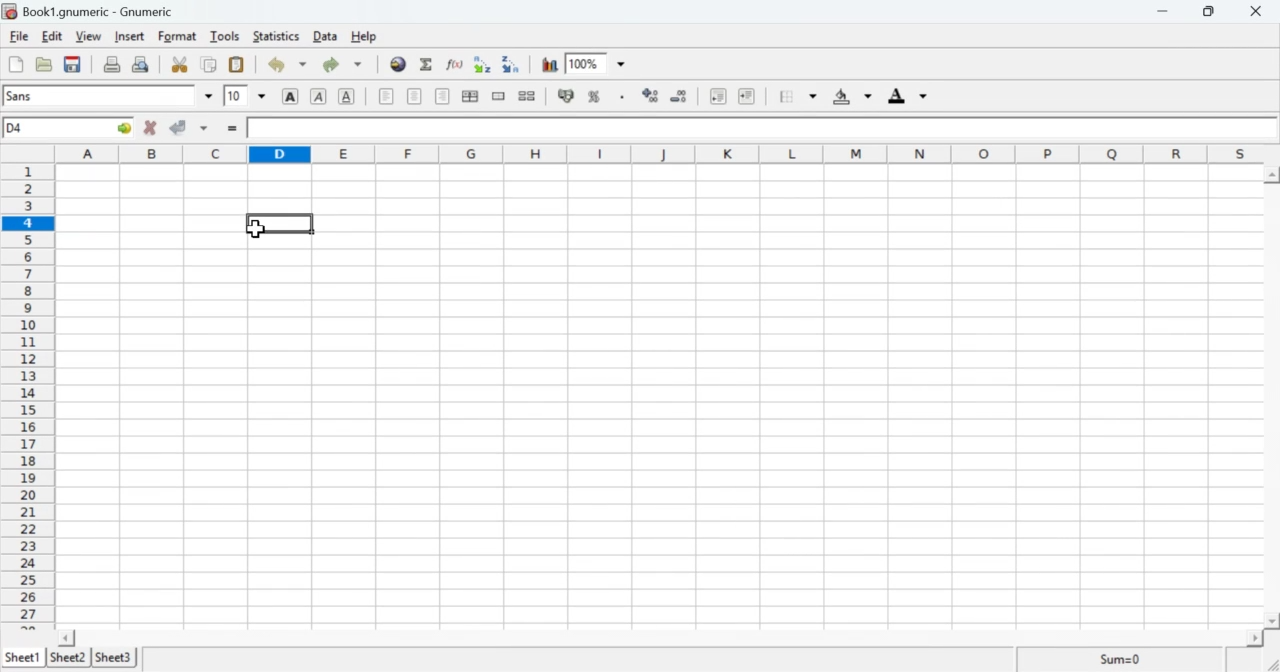 This screenshot has height=672, width=1280. What do you see at coordinates (386, 96) in the screenshot?
I see `Align left` at bounding box center [386, 96].